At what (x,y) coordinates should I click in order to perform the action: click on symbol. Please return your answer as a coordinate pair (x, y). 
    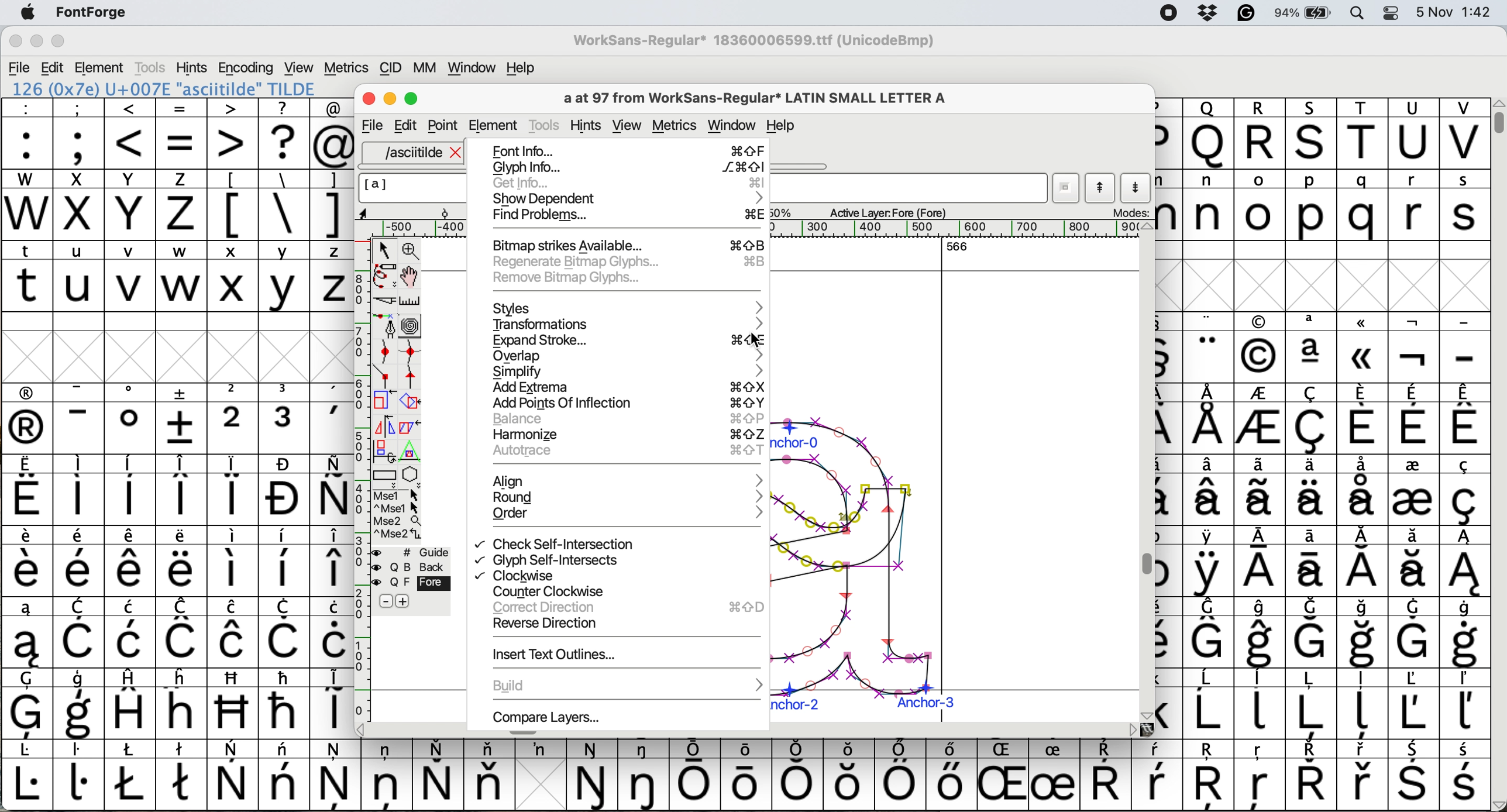
    Looking at the image, I should click on (387, 773).